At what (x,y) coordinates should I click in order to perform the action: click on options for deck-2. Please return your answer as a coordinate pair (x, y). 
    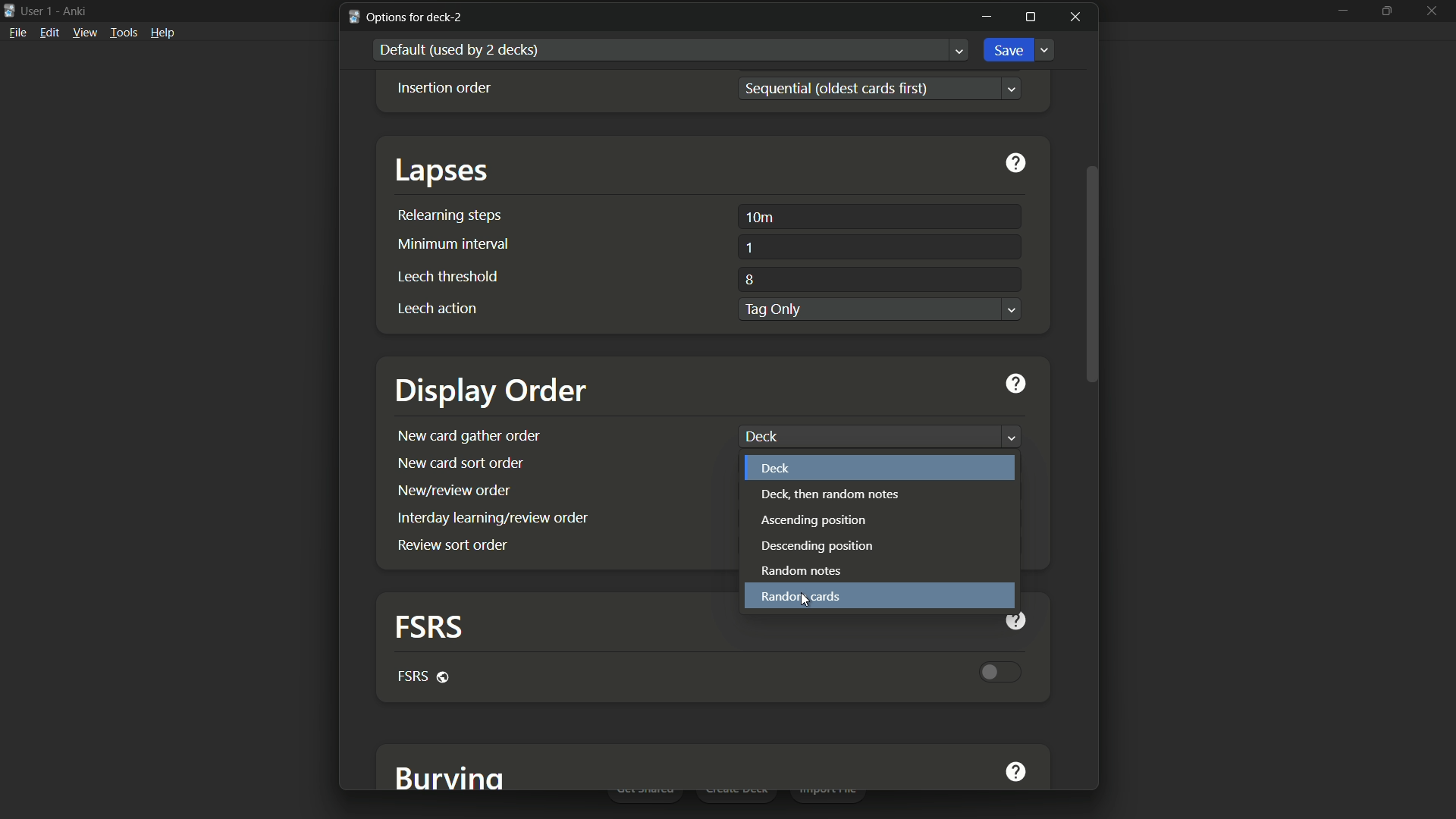
    Looking at the image, I should click on (407, 17).